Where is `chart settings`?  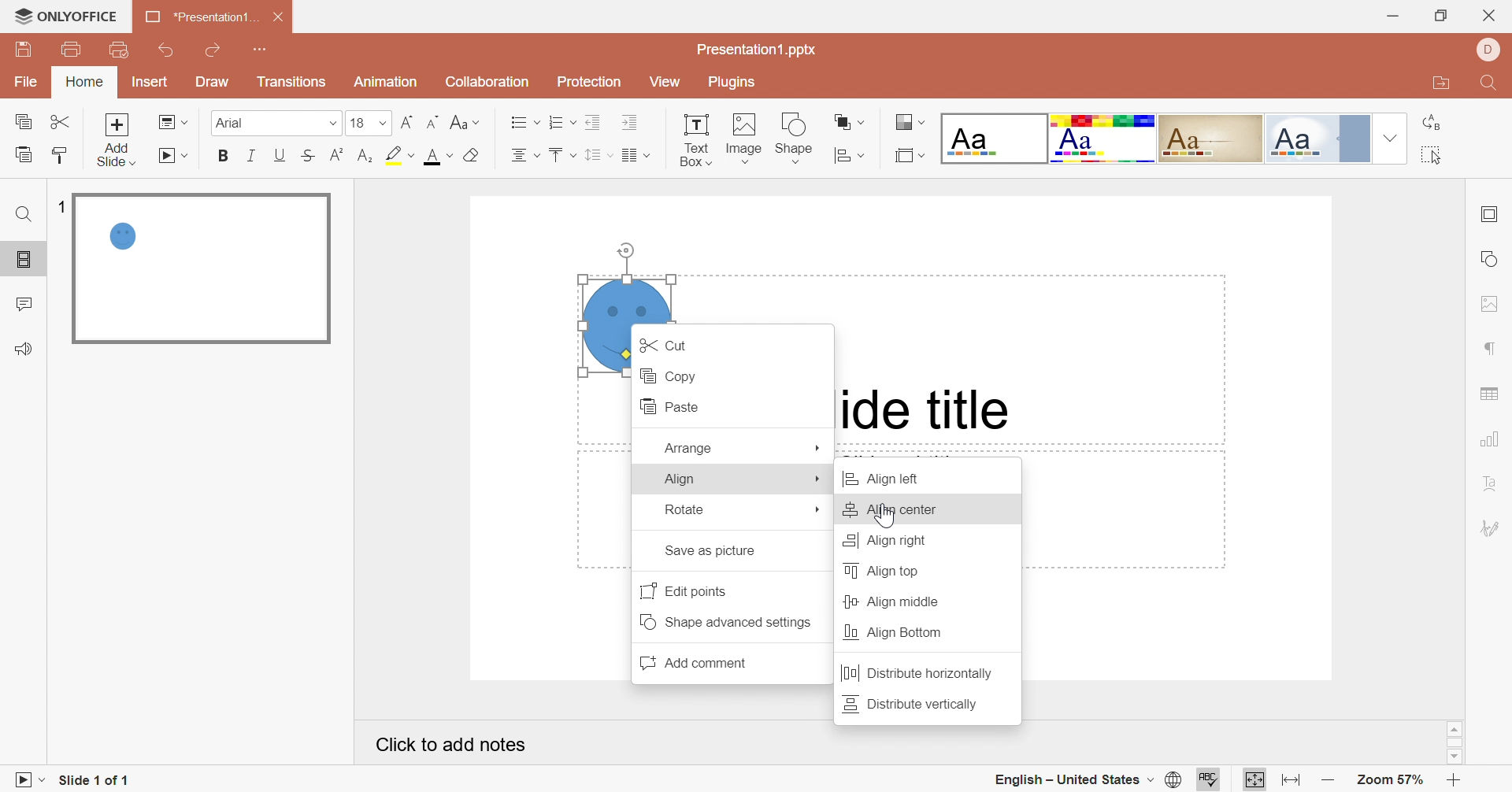 chart settings is located at coordinates (1493, 439).